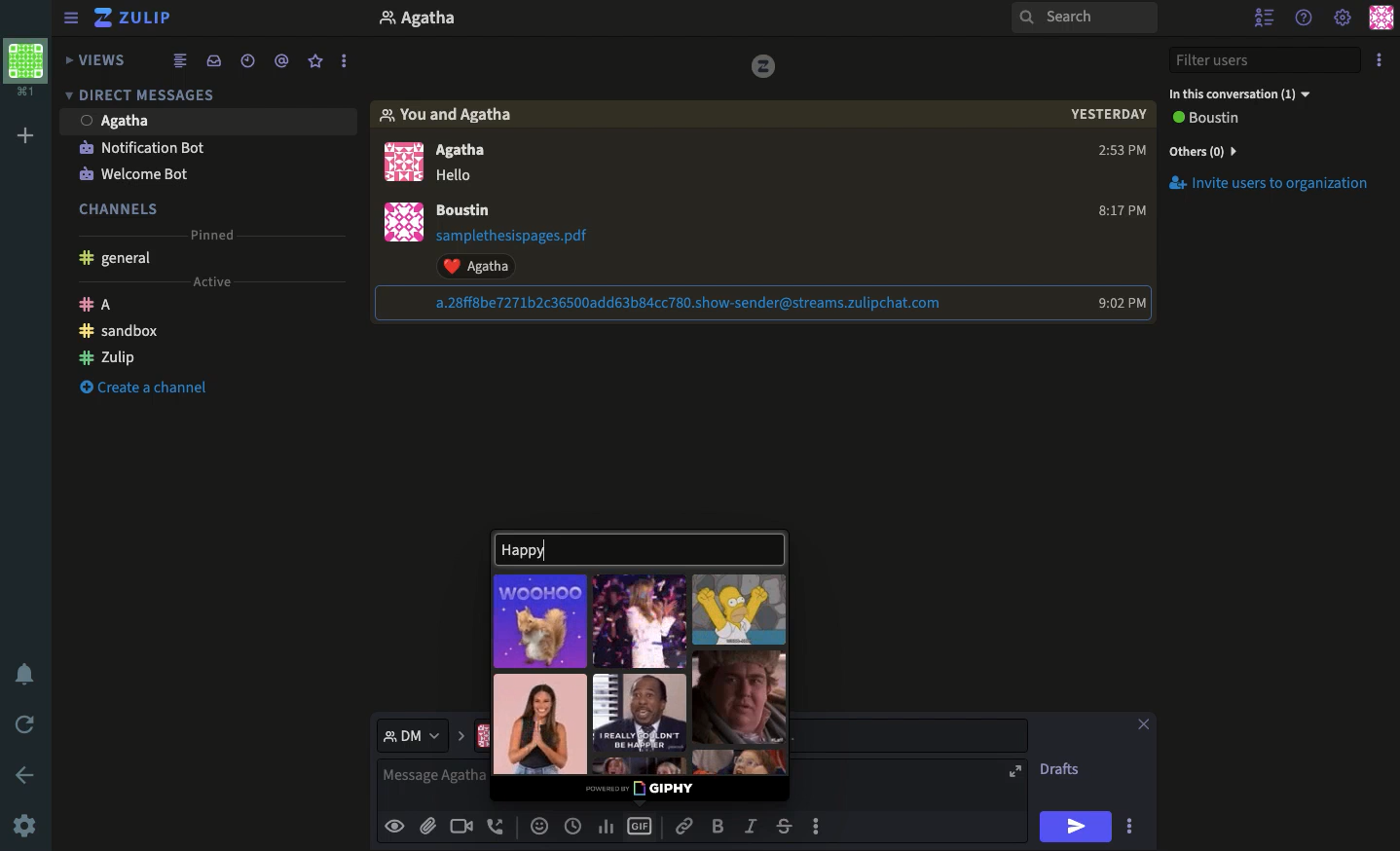 The height and width of the screenshot is (851, 1400). Describe the element at coordinates (1120, 212) in the screenshot. I see `time` at that location.